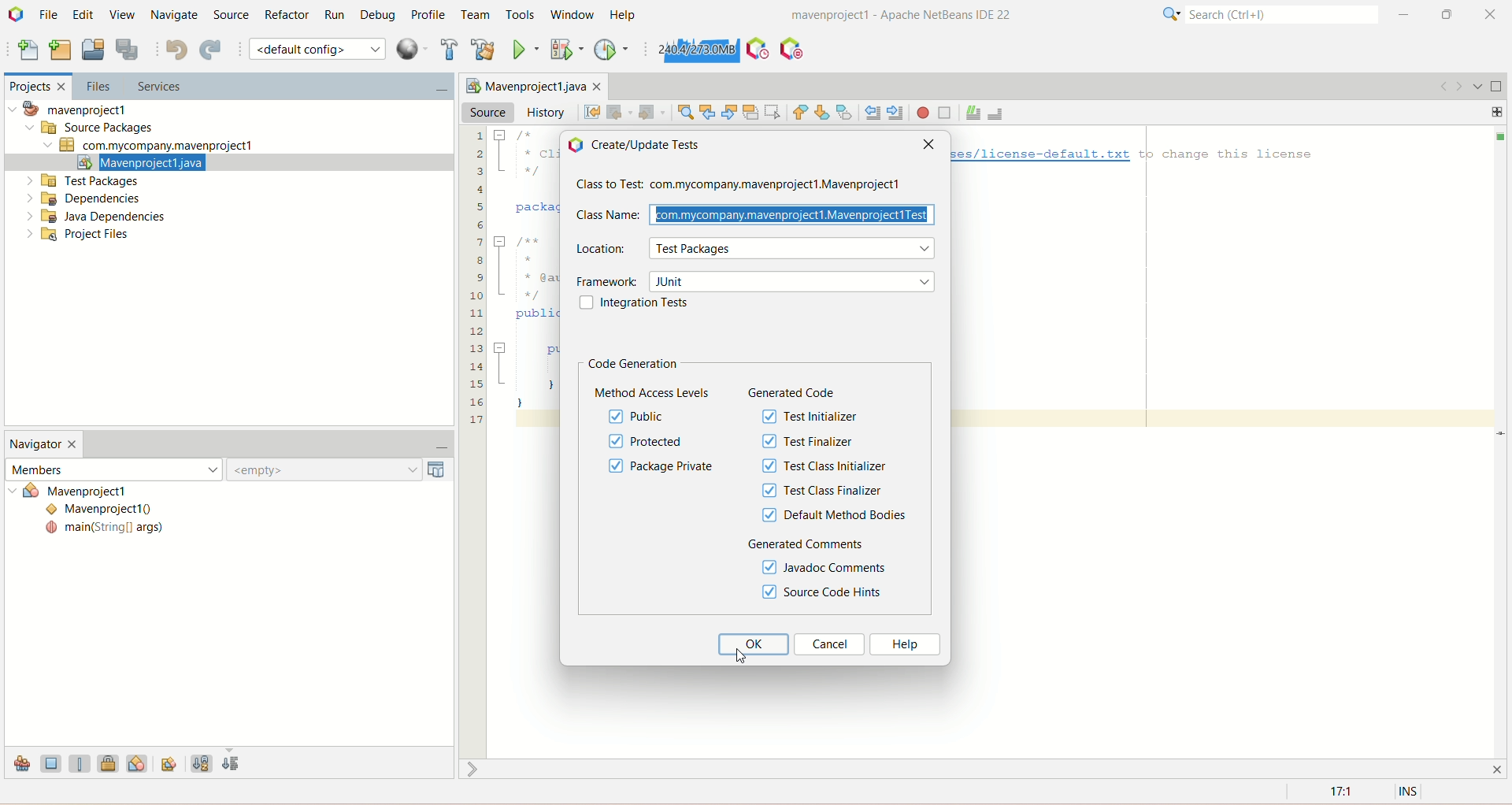 The height and width of the screenshot is (805, 1512). Describe the element at coordinates (973, 113) in the screenshot. I see `comment` at that location.